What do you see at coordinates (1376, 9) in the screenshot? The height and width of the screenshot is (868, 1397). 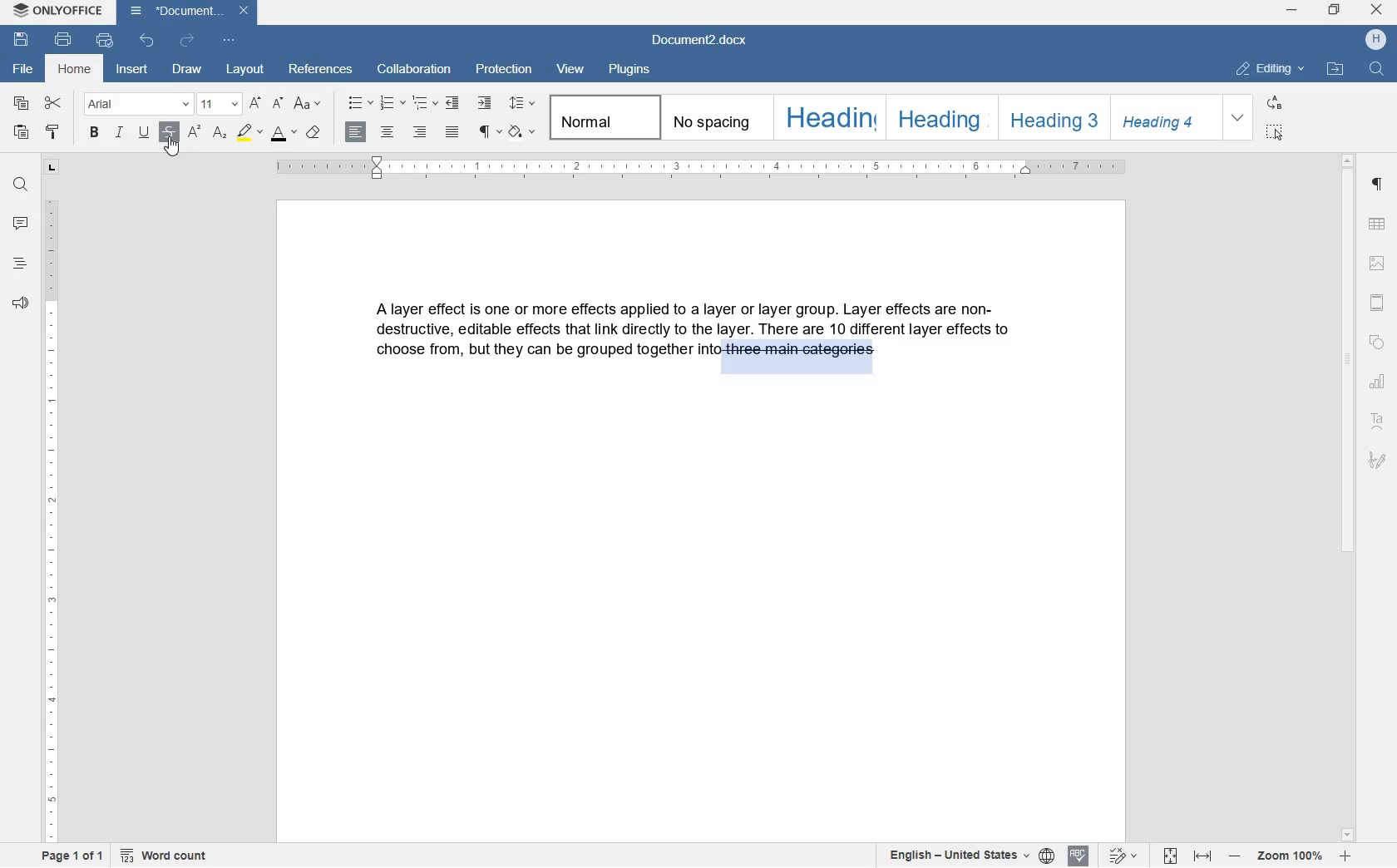 I see `close` at bounding box center [1376, 9].